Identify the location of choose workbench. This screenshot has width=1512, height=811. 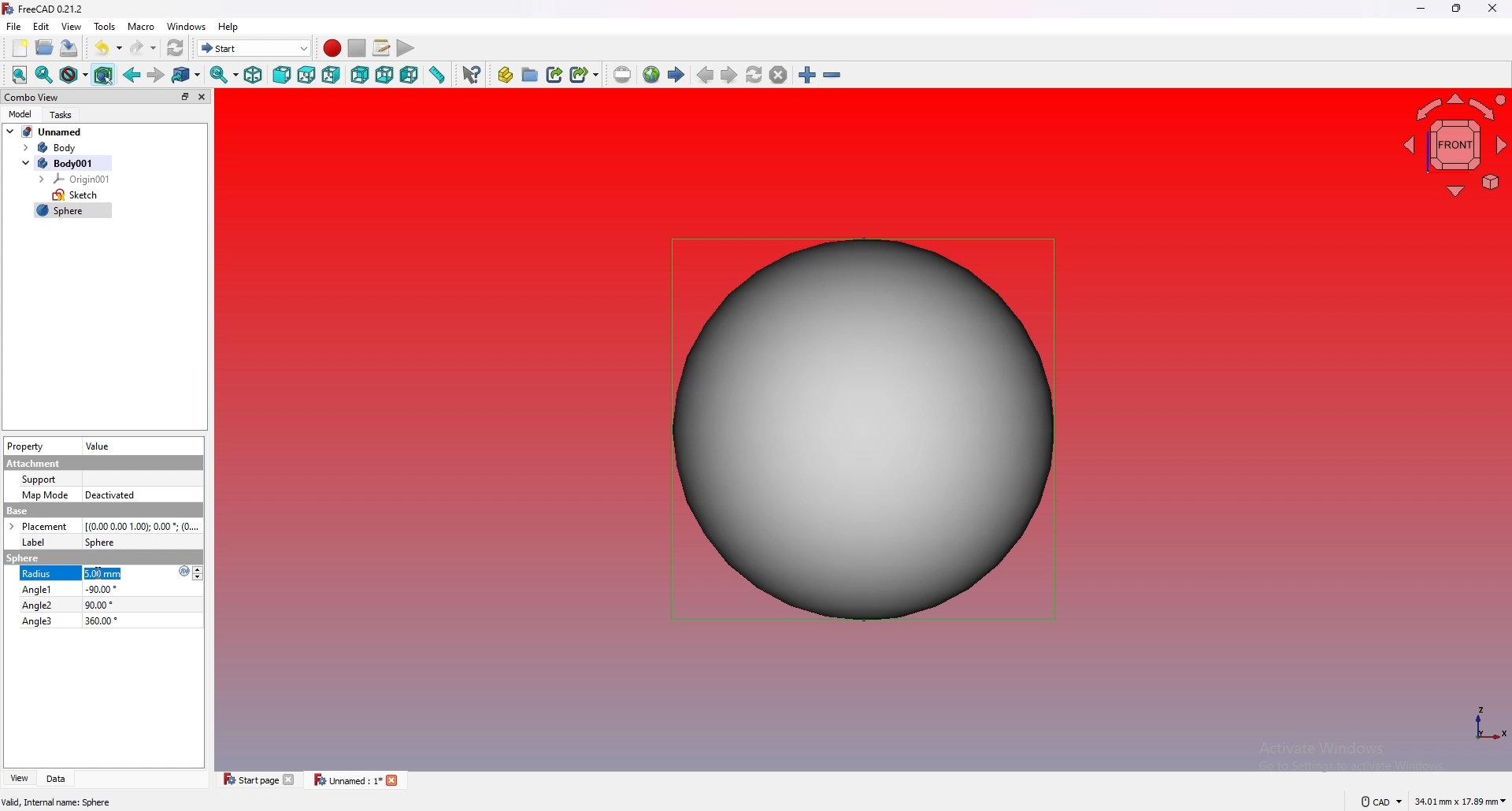
(254, 48).